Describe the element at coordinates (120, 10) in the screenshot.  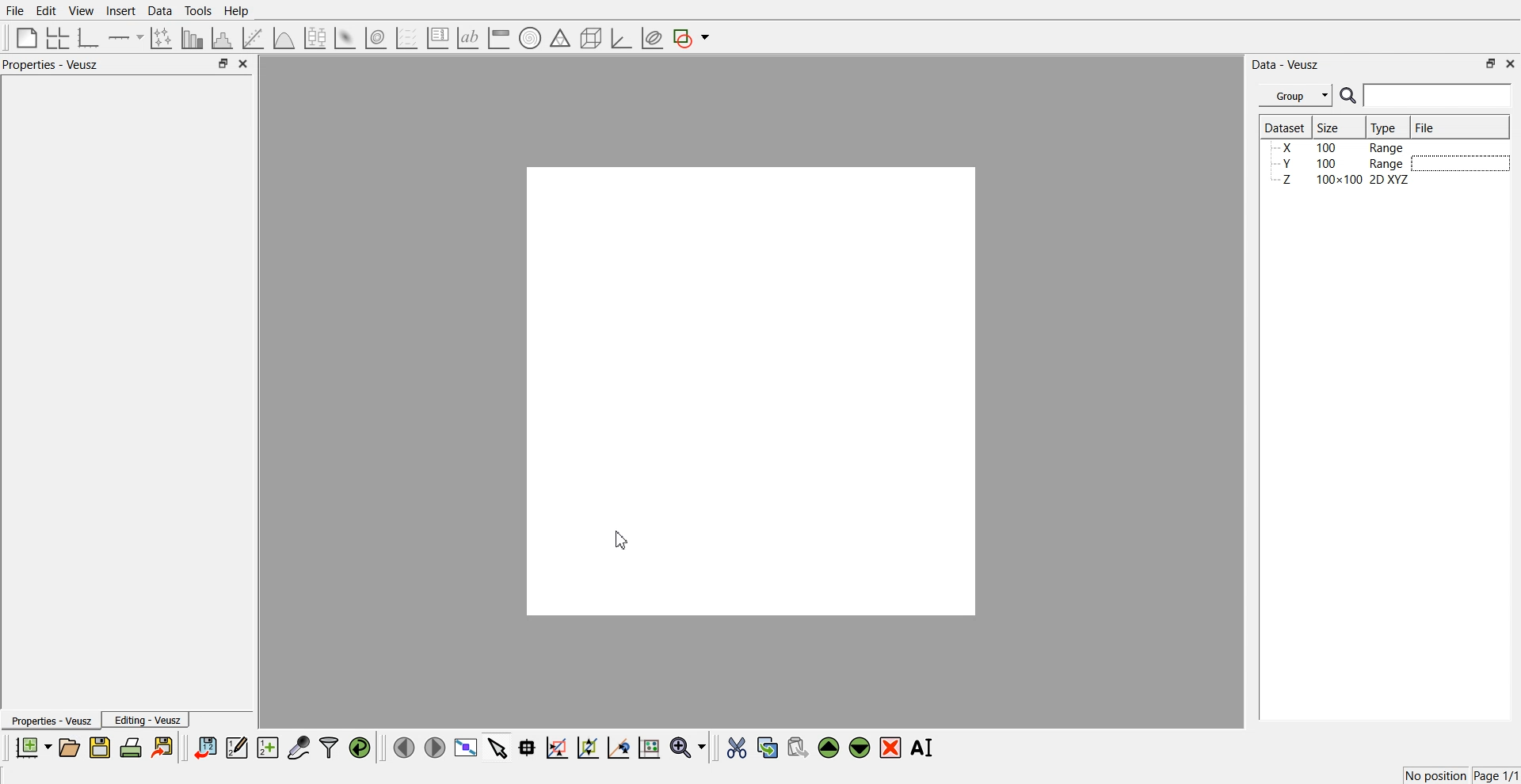
I see `Insert` at that location.